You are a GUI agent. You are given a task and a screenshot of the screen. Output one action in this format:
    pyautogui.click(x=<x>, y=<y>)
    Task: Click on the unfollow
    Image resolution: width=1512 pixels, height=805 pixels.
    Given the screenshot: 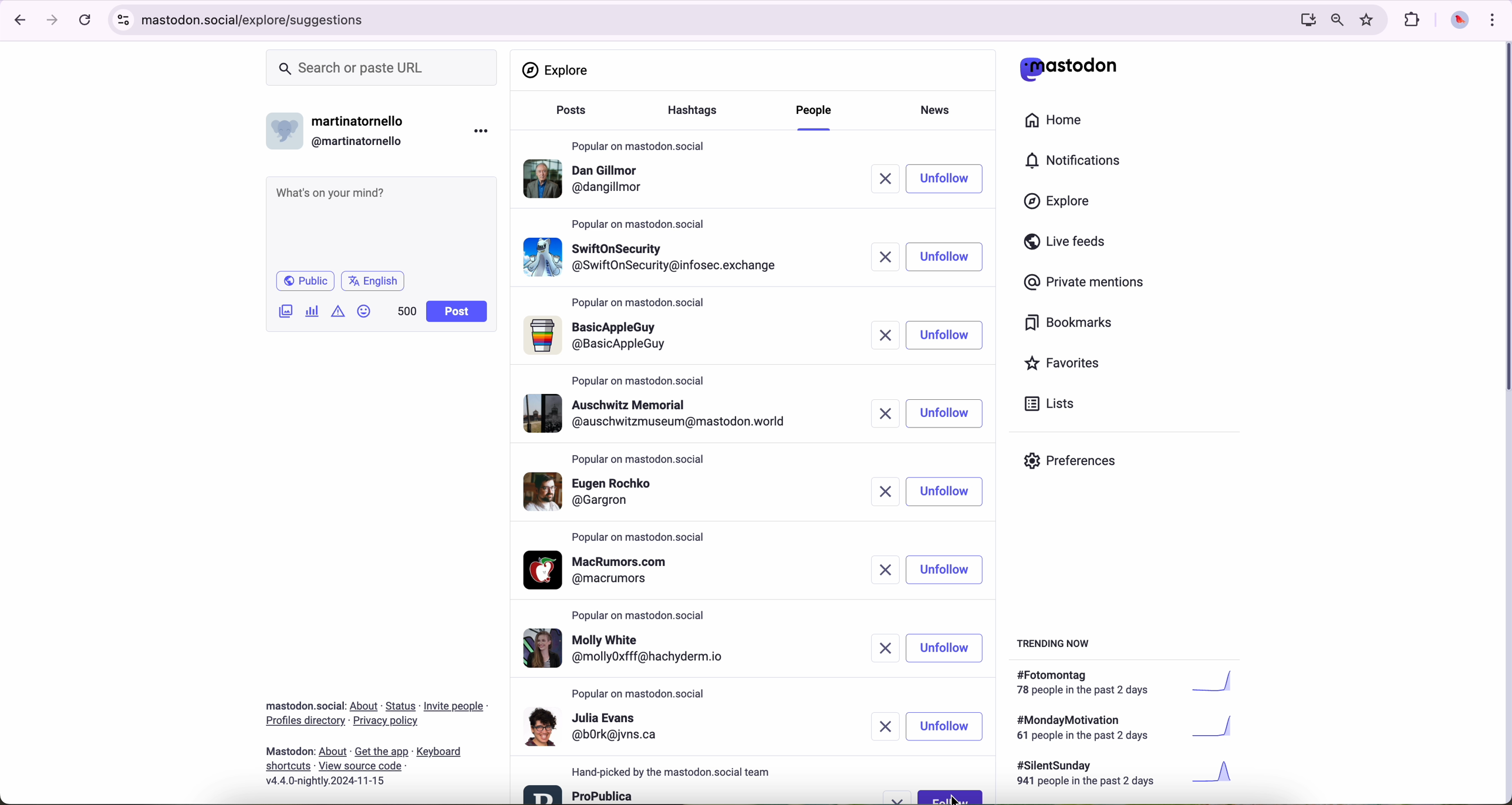 What is the action you would take?
    pyautogui.click(x=947, y=727)
    